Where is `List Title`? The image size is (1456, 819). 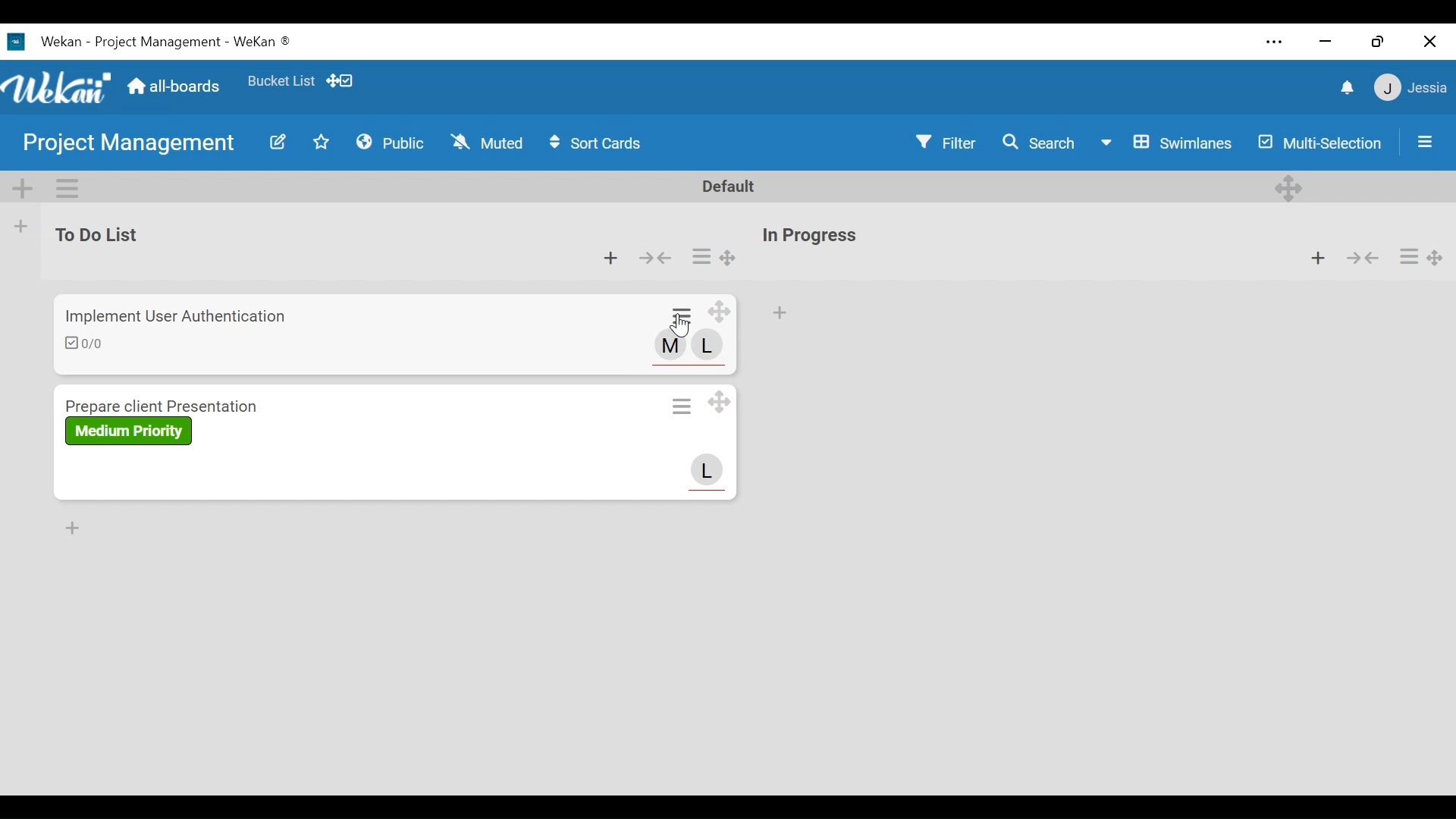 List Title is located at coordinates (808, 237).